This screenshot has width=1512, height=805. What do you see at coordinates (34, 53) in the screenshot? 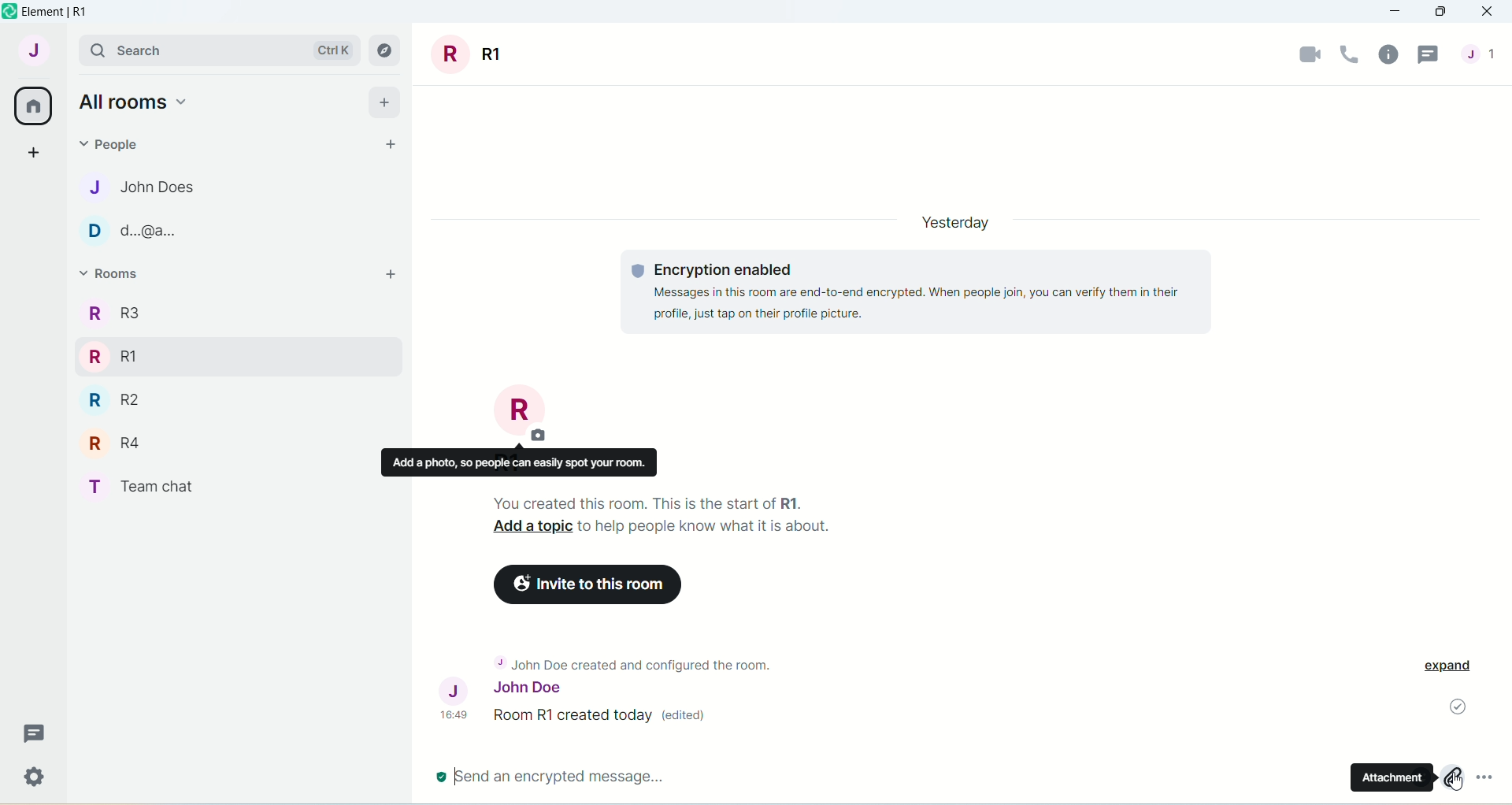
I see `account` at bounding box center [34, 53].